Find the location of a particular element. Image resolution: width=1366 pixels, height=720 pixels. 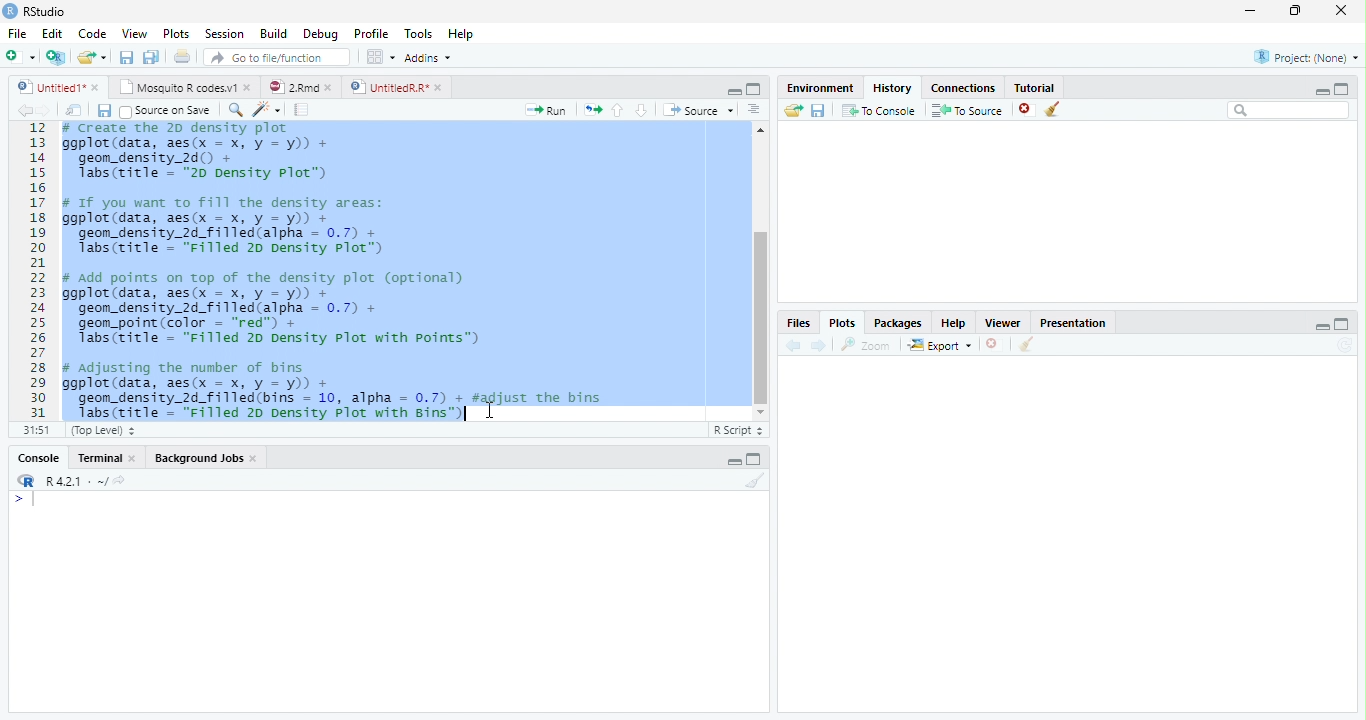

vertical Scrollbar is located at coordinates (761, 317).